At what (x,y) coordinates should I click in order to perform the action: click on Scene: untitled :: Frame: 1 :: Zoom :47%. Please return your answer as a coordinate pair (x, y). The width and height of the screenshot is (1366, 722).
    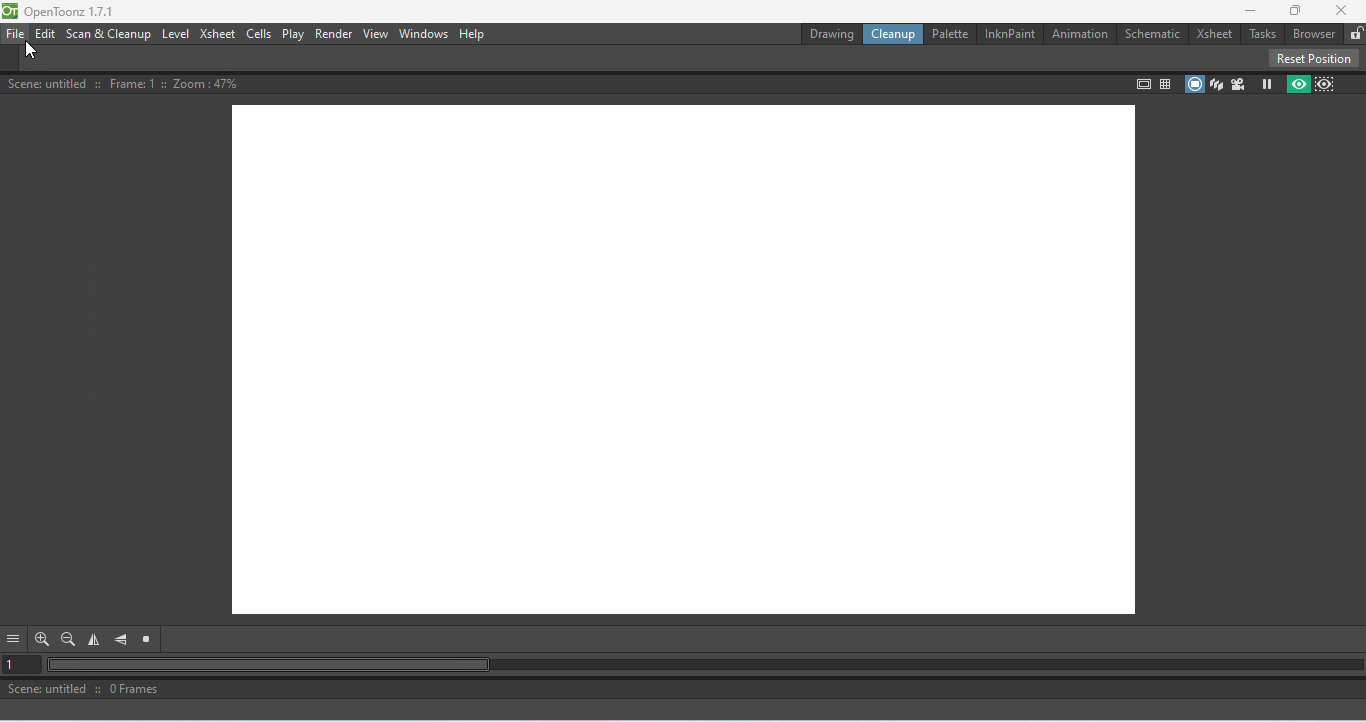
    Looking at the image, I should click on (126, 84).